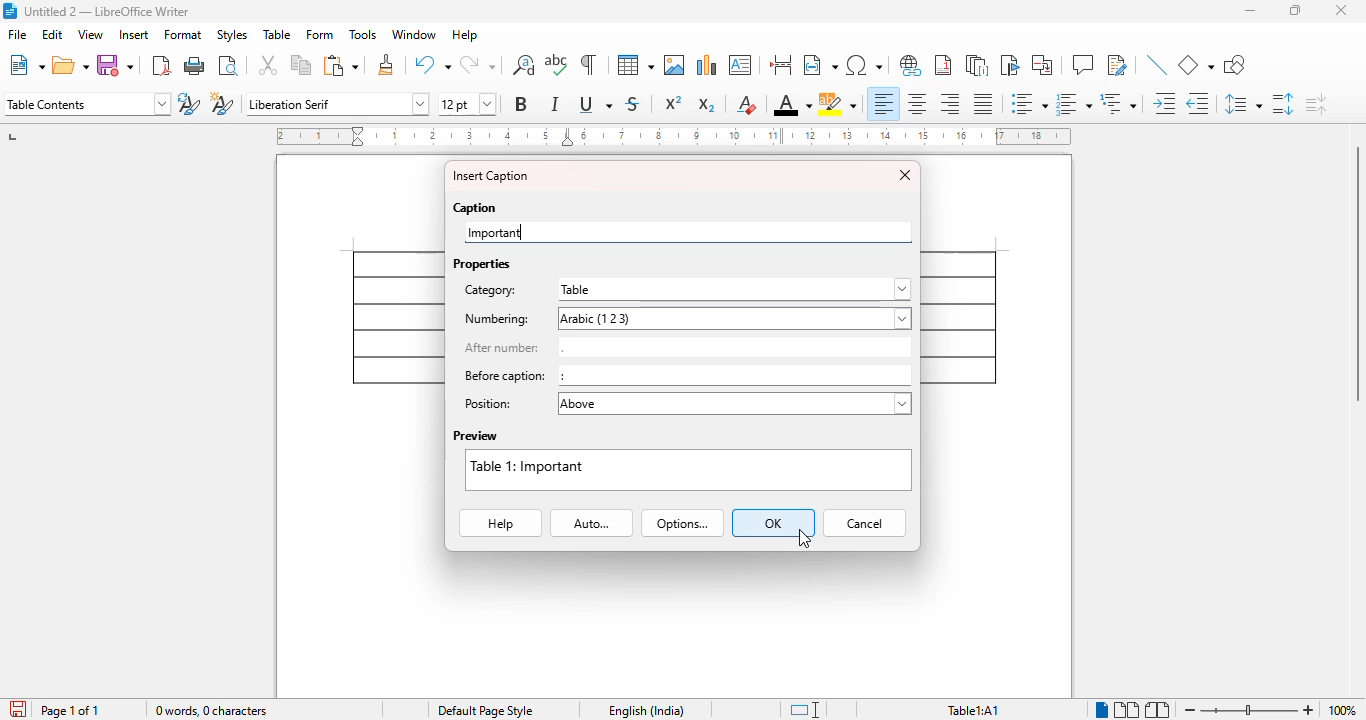  What do you see at coordinates (747, 104) in the screenshot?
I see `clear direct formatting` at bounding box center [747, 104].